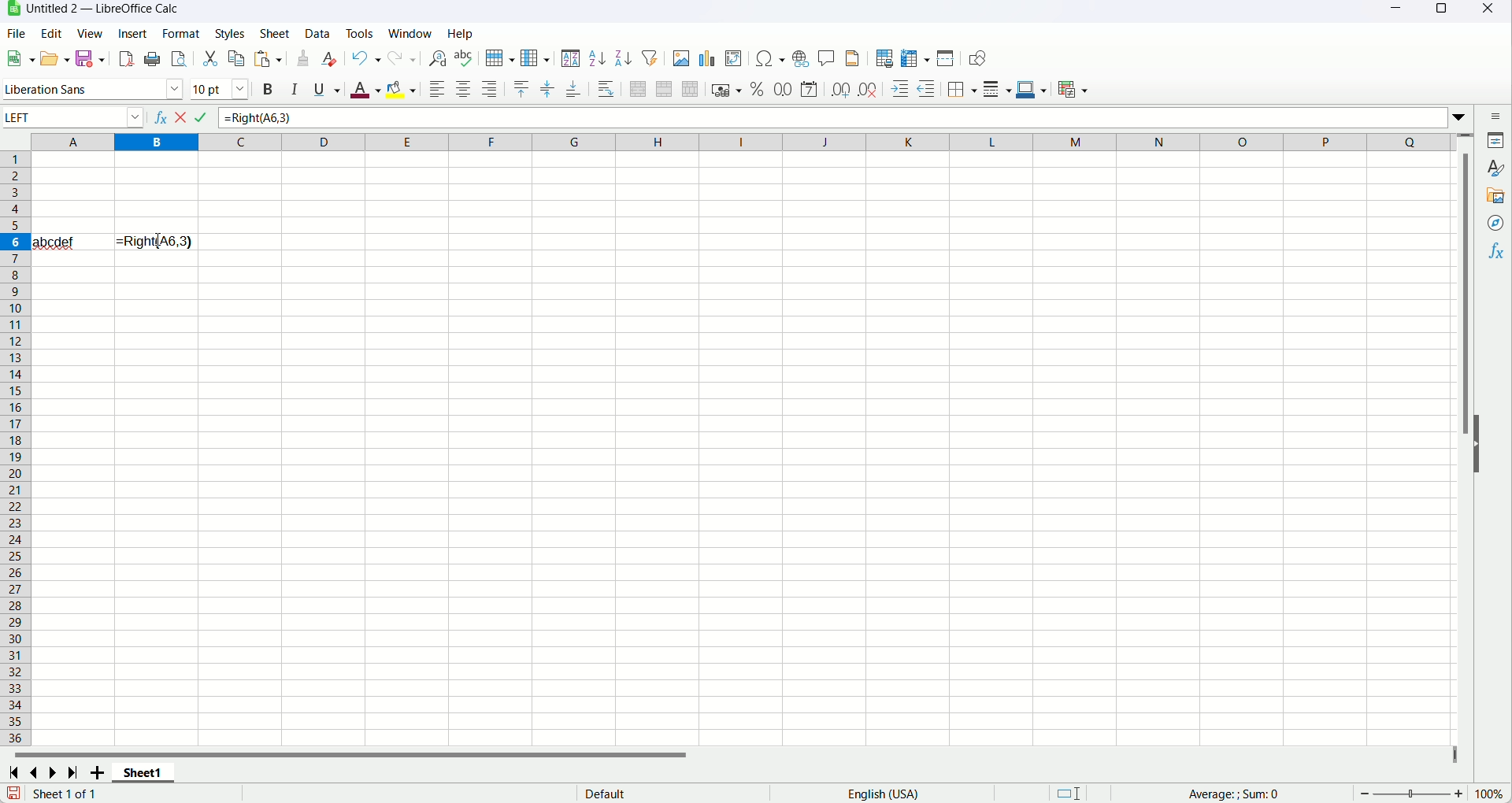  I want to click on decrease indent, so click(928, 88).